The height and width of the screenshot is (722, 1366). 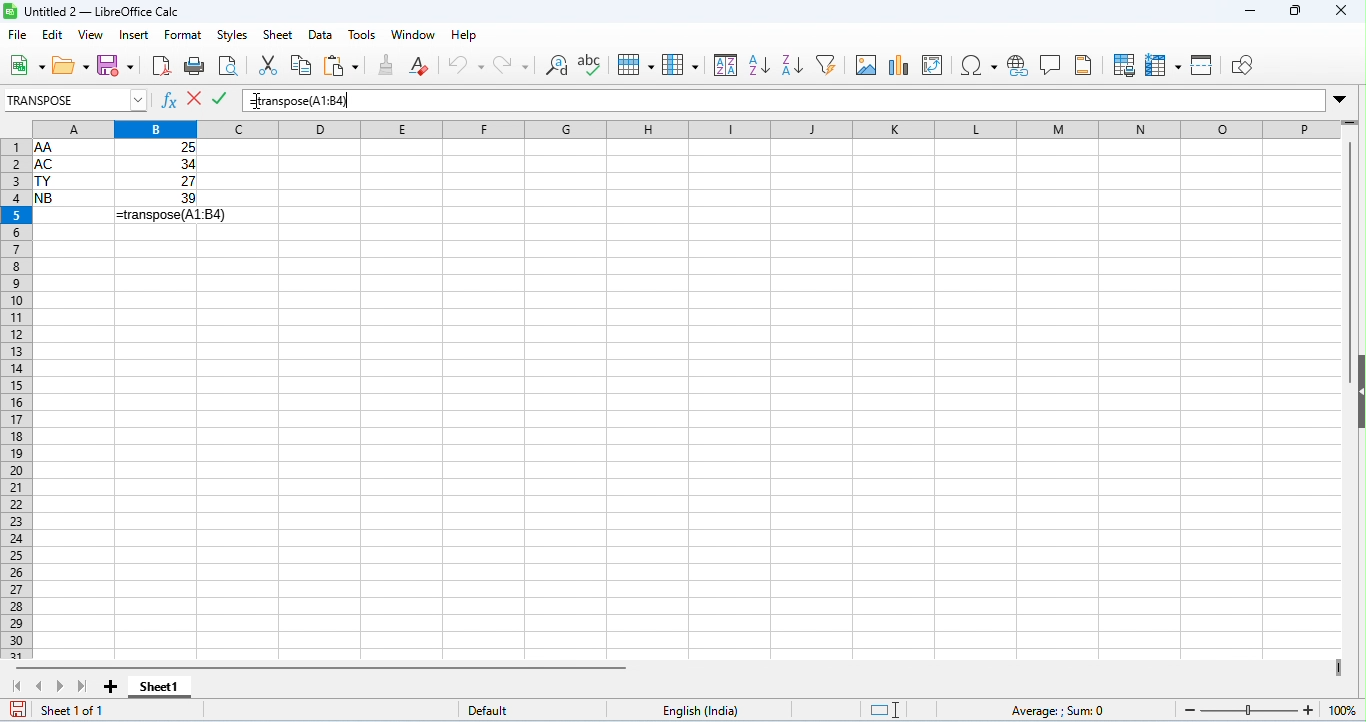 What do you see at coordinates (322, 667) in the screenshot?
I see `horizontal scroll bar` at bounding box center [322, 667].